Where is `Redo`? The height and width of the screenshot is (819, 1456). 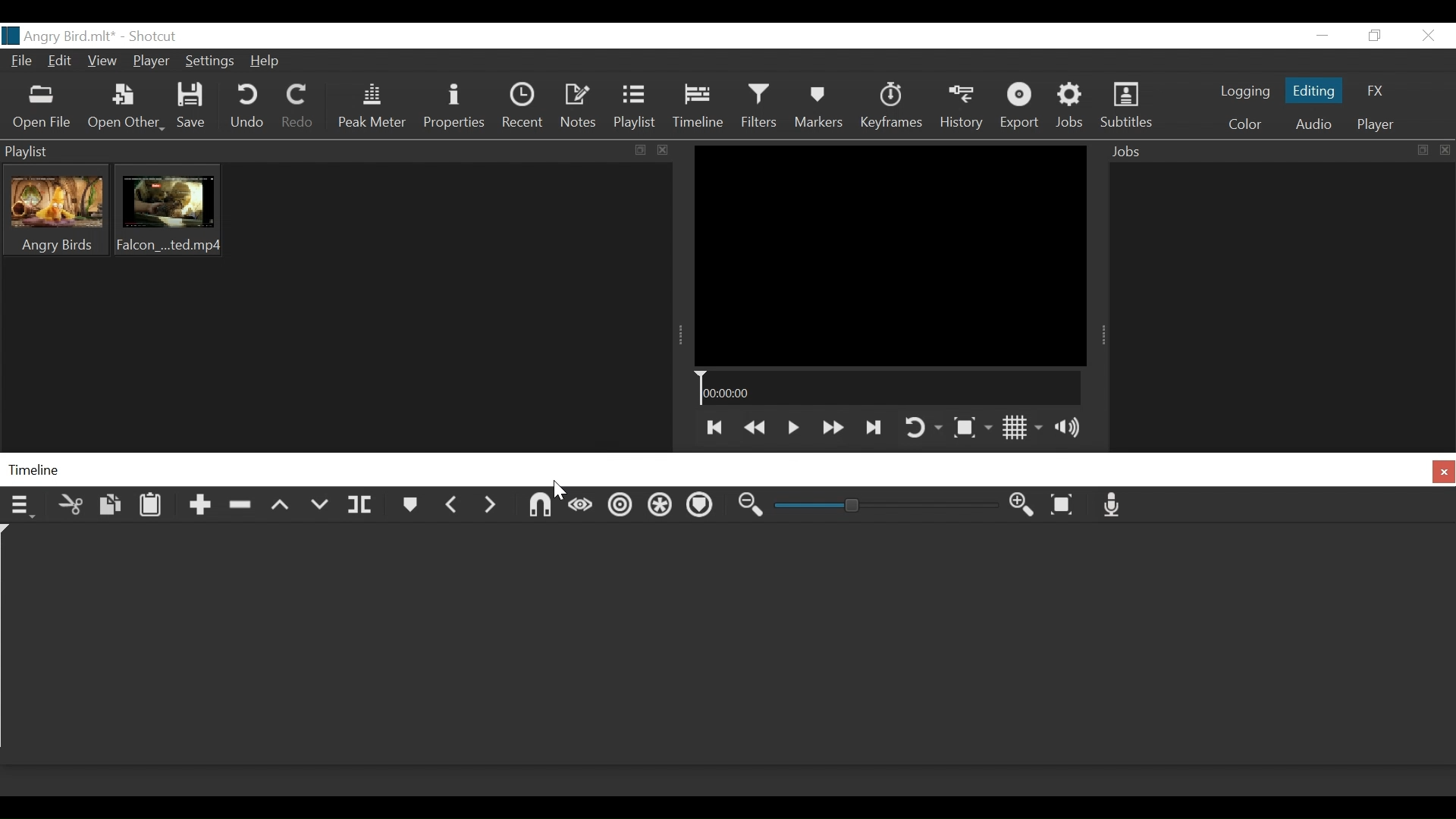
Redo is located at coordinates (299, 107).